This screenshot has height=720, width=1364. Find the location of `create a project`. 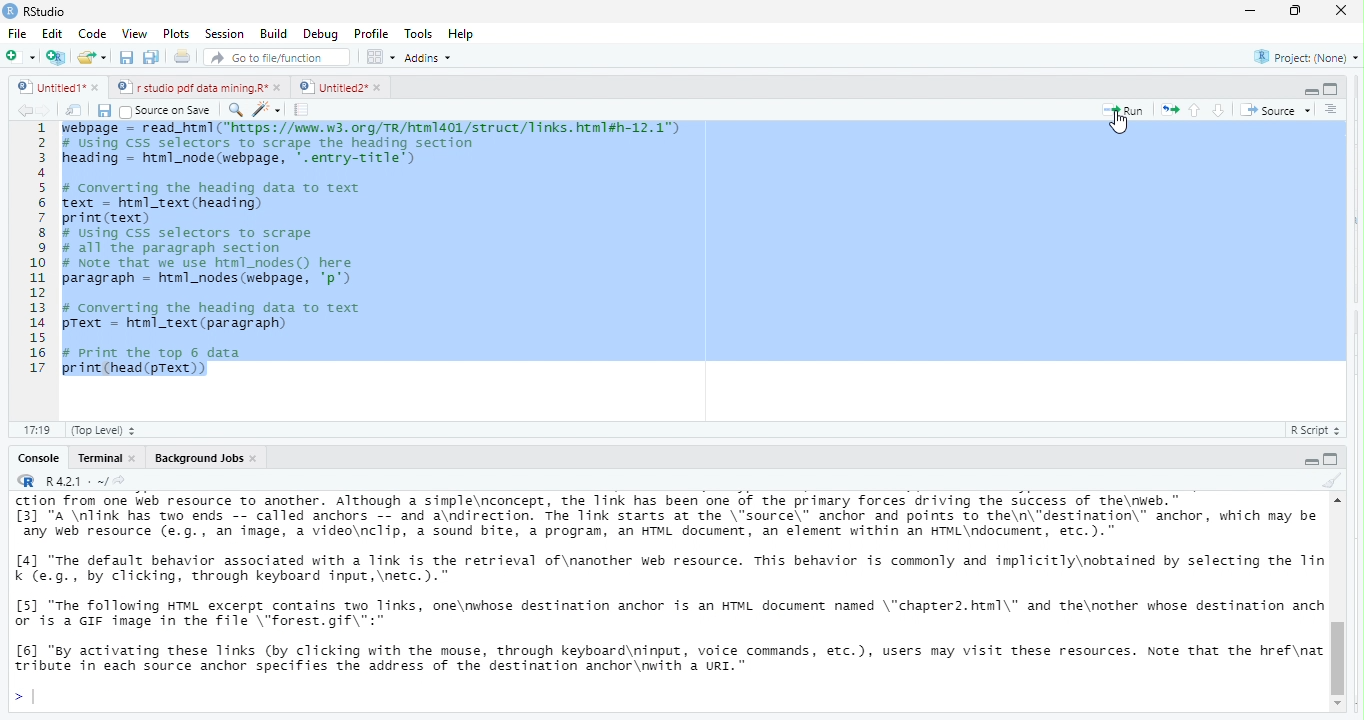

create a project is located at coordinates (54, 57).